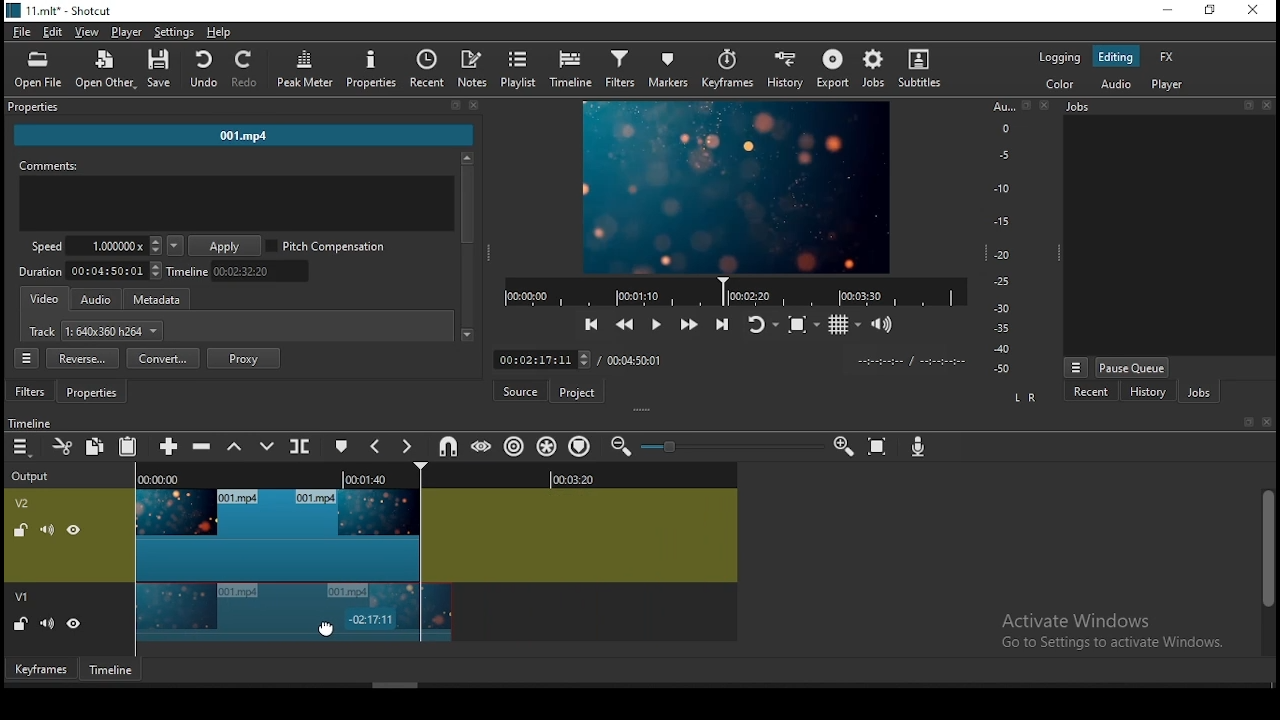 This screenshot has height=720, width=1280. Describe the element at coordinates (76, 530) in the screenshot. I see `(UN)HIDE` at that location.